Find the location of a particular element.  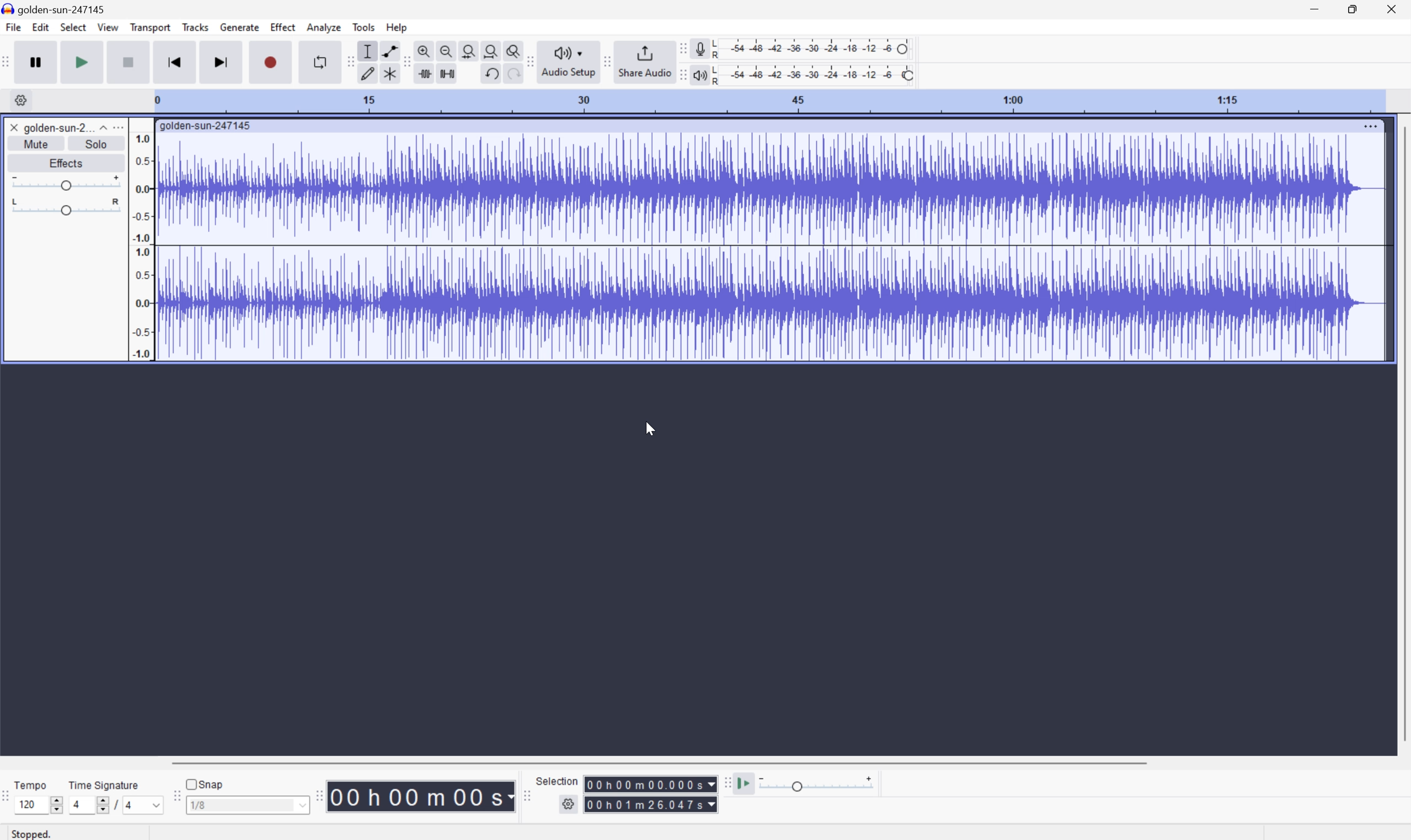

goldensun-247145 is located at coordinates (55, 9).